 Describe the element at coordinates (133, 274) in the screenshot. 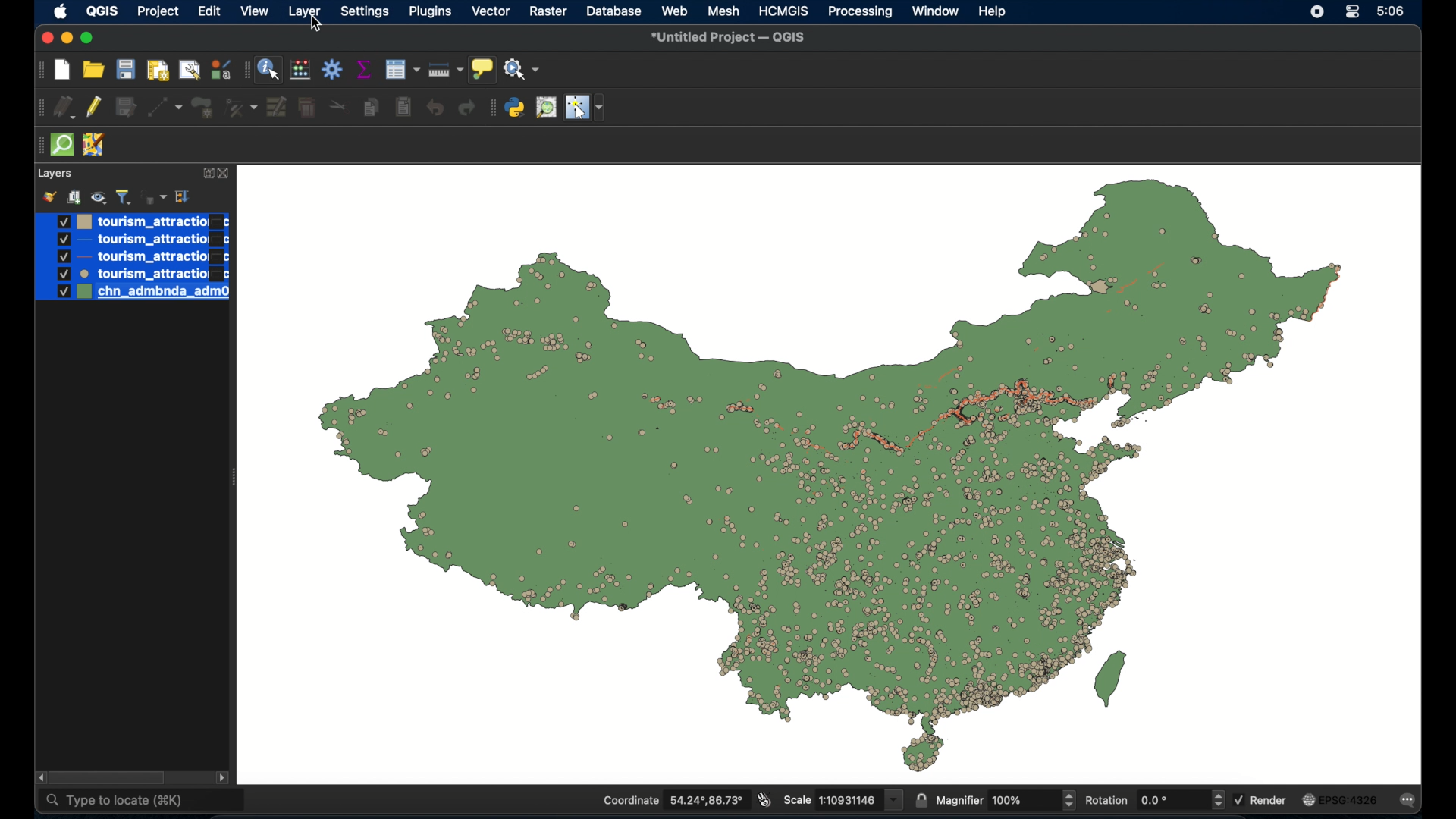

I see `layer 4` at that location.